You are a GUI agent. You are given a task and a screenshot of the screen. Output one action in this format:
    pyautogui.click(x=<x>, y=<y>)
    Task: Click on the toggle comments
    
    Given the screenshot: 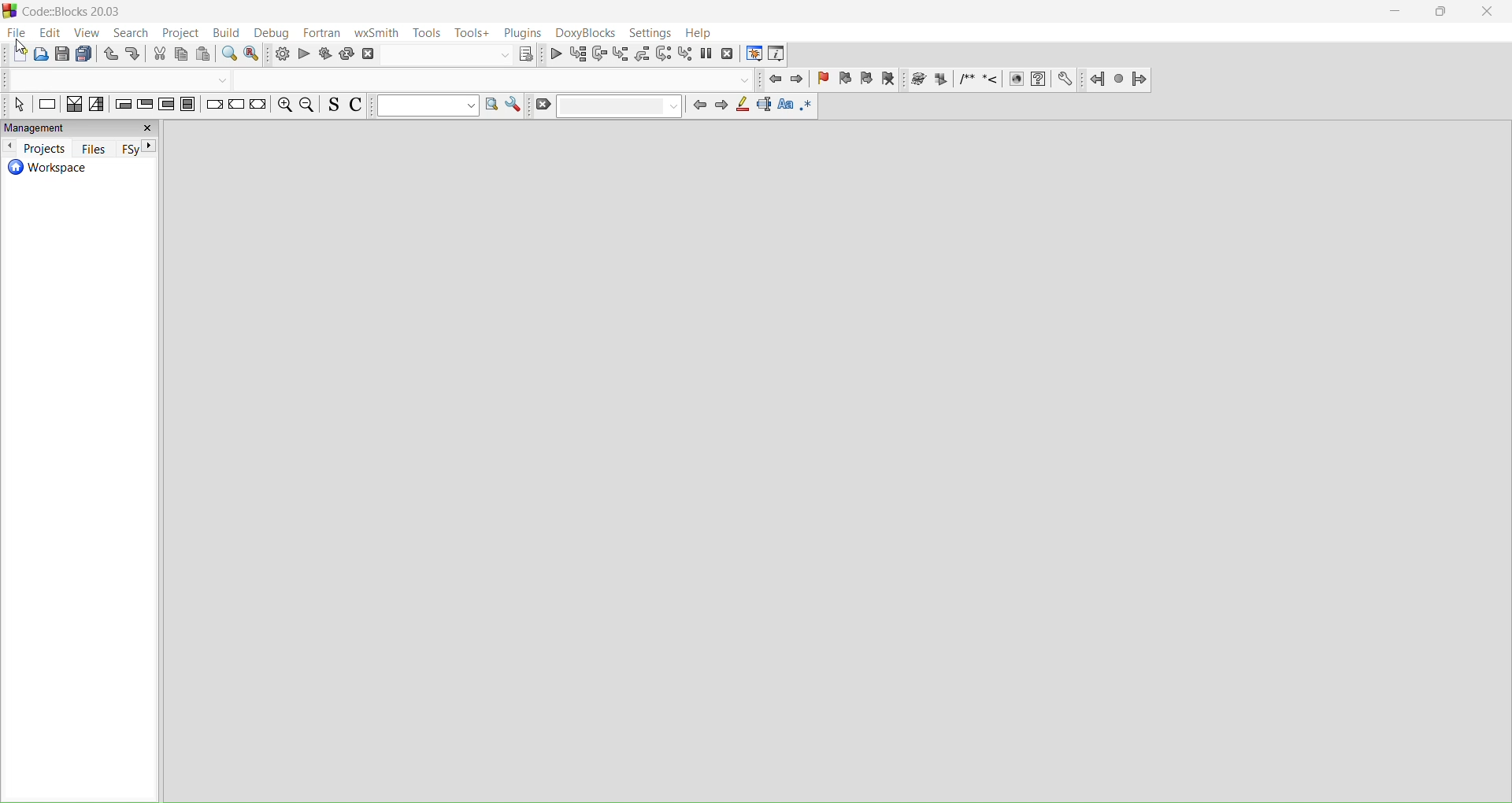 What is the action you would take?
    pyautogui.click(x=360, y=106)
    